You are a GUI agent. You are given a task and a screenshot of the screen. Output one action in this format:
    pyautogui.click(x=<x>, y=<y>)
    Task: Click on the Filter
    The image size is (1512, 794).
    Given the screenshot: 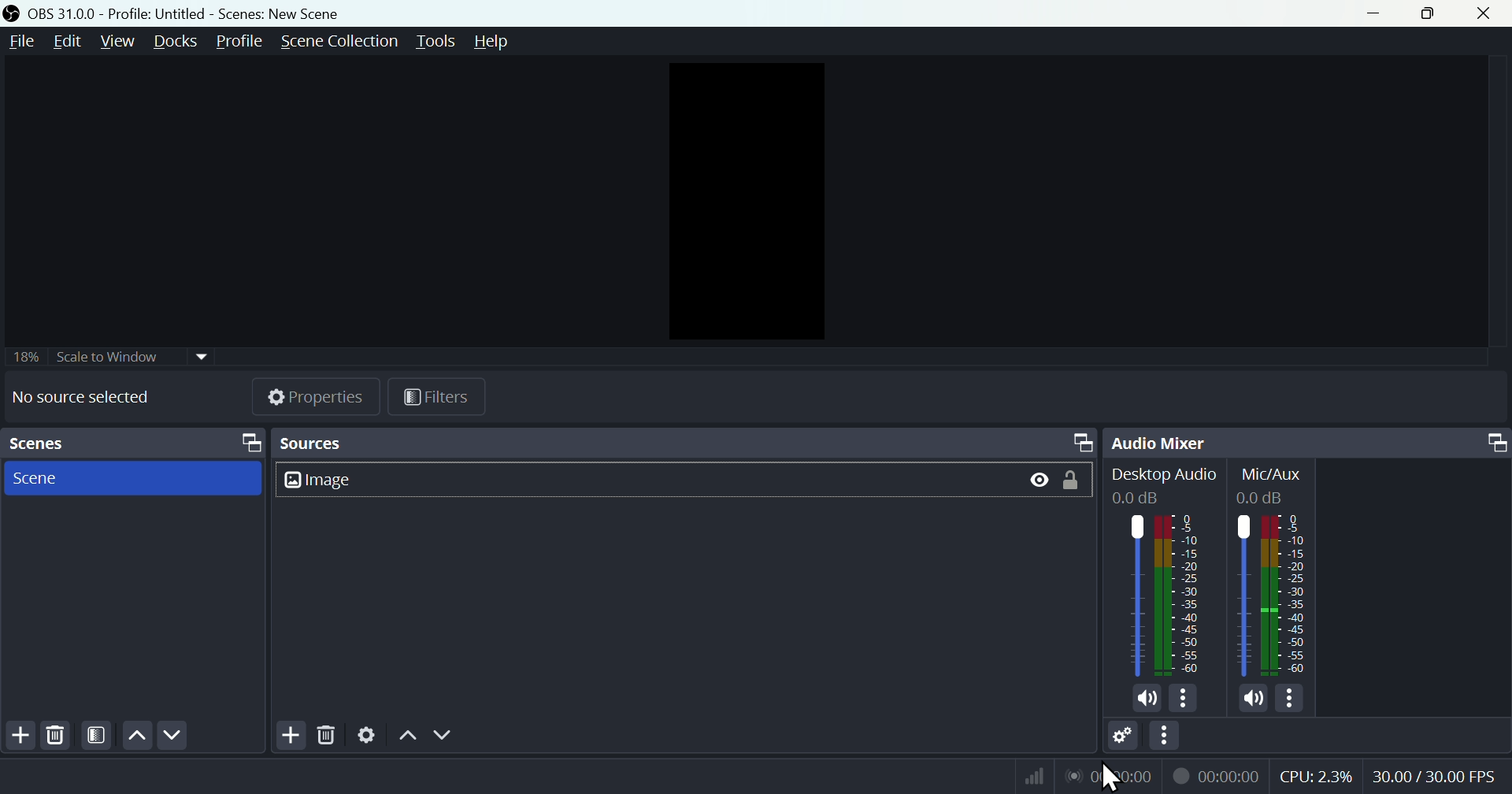 What is the action you would take?
    pyautogui.click(x=97, y=736)
    